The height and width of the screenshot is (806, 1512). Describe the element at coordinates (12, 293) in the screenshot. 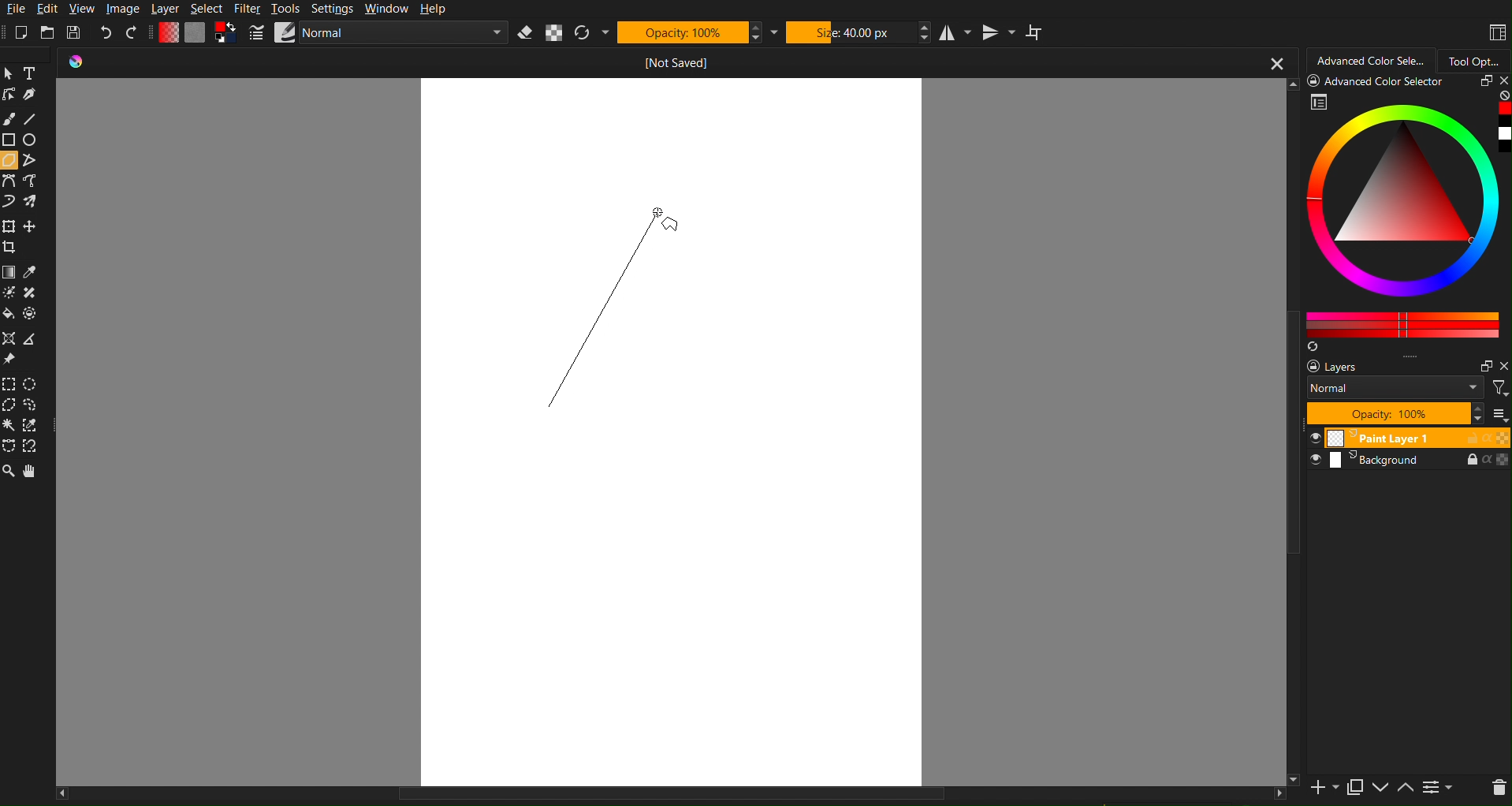

I see `colorize mask tool` at that location.